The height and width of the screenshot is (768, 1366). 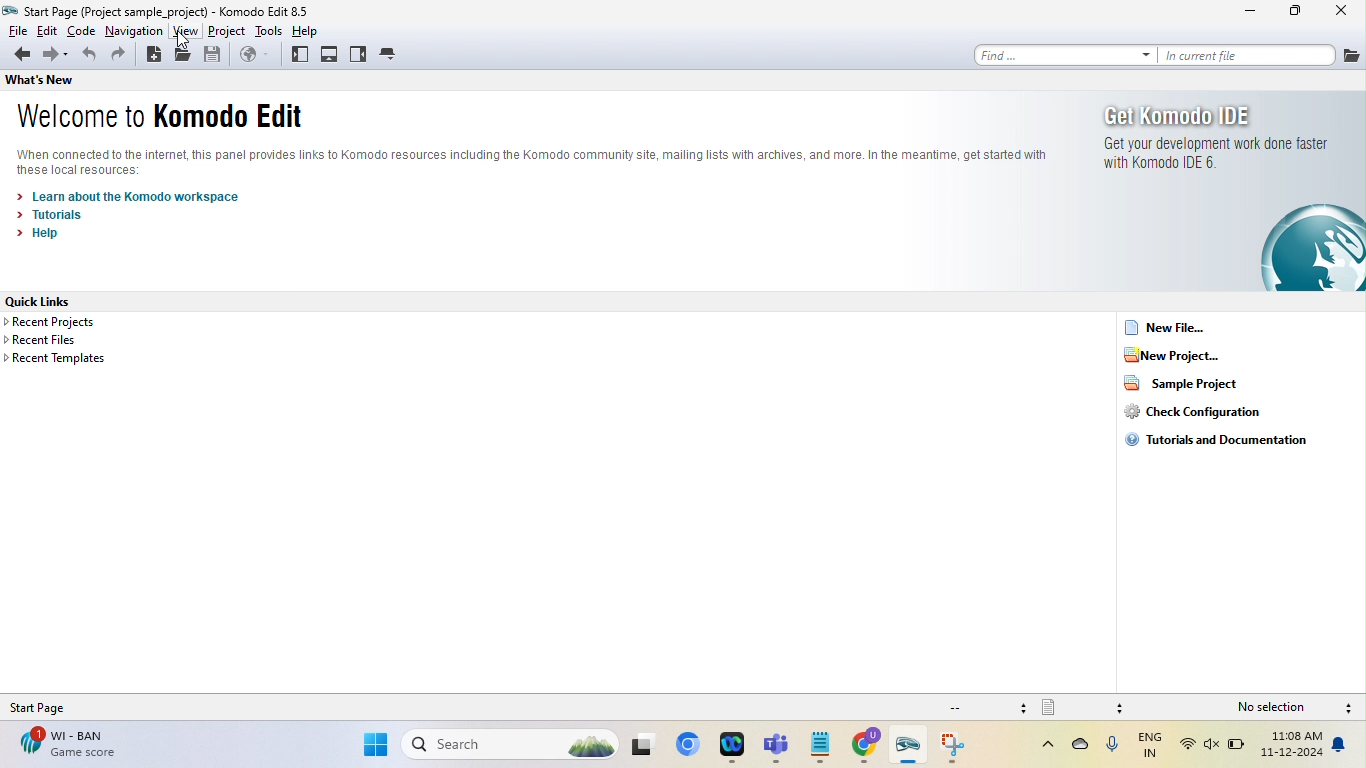 What do you see at coordinates (779, 747) in the screenshot?
I see `apps on taskbar` at bounding box center [779, 747].